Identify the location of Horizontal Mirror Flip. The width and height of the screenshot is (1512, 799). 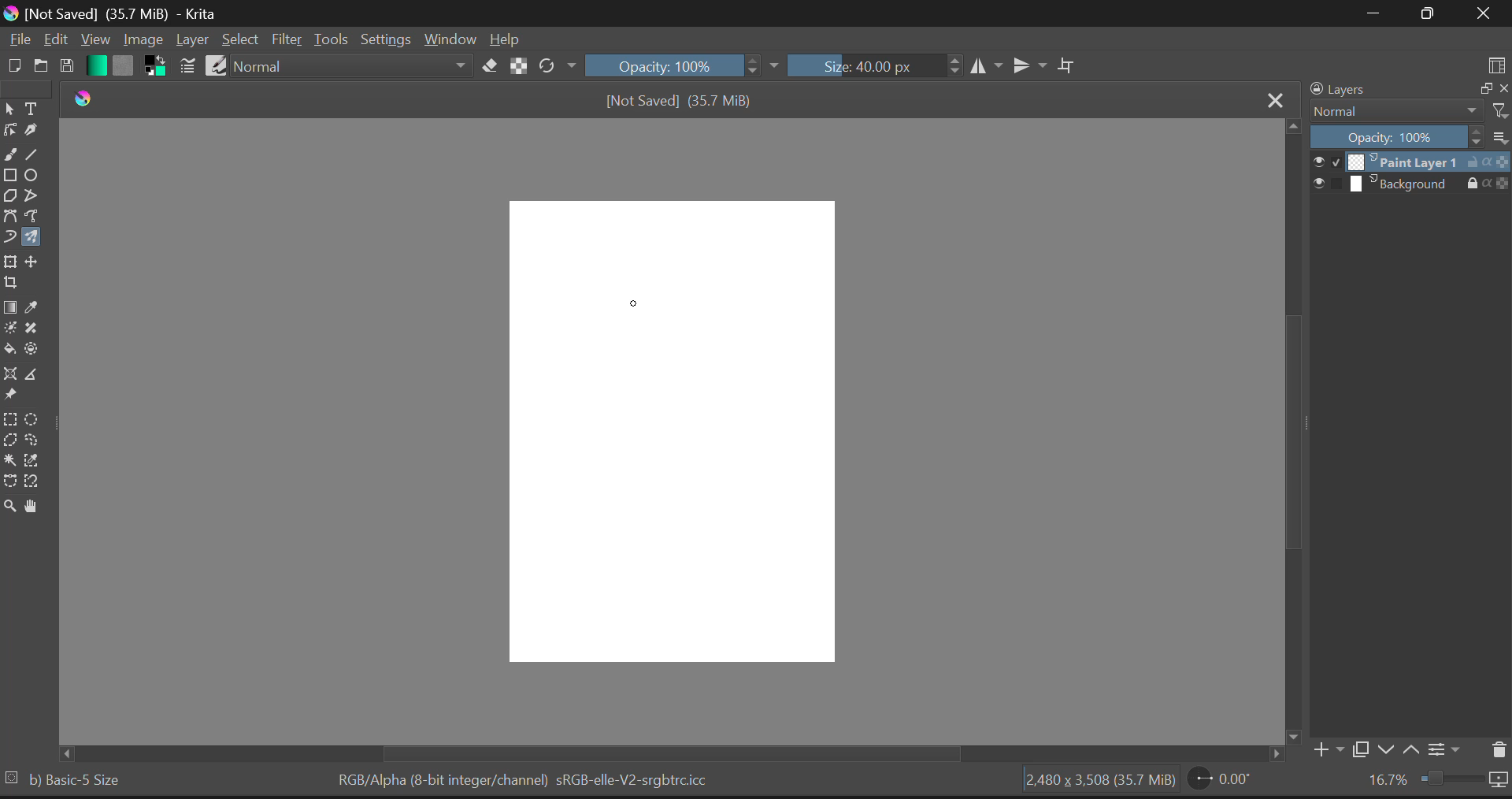
(1031, 65).